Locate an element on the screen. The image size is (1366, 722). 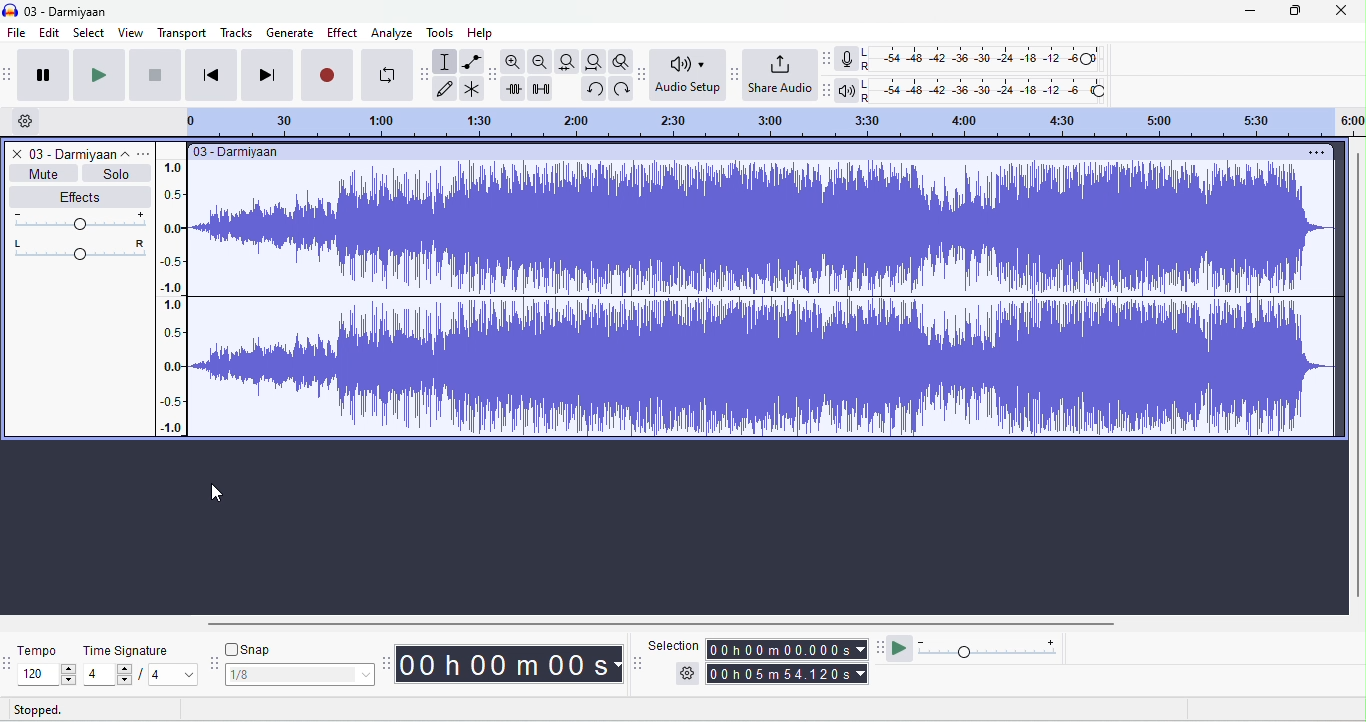
time is located at coordinates (511, 665).